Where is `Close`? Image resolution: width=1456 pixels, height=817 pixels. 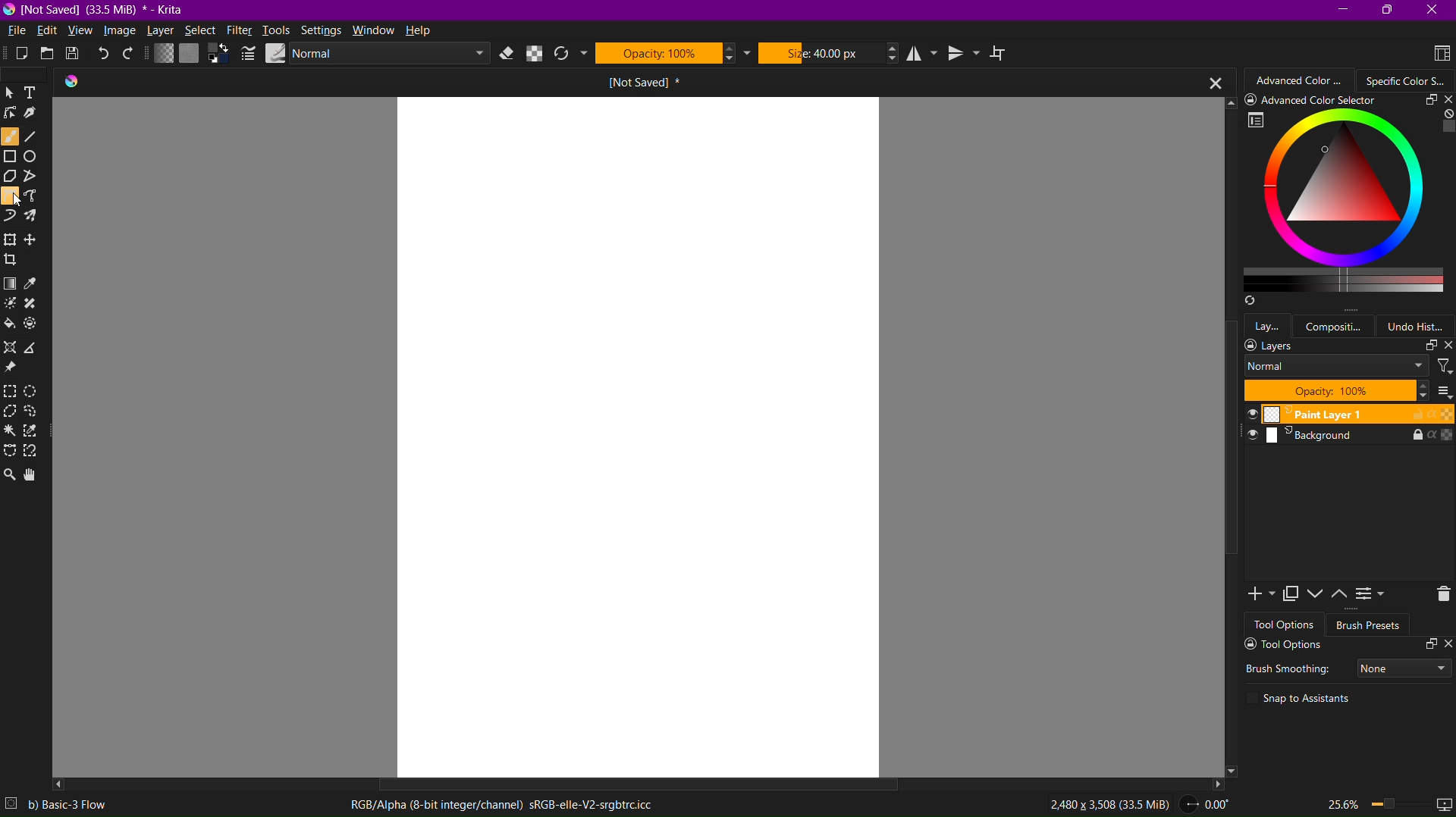 Close is located at coordinates (1209, 82).